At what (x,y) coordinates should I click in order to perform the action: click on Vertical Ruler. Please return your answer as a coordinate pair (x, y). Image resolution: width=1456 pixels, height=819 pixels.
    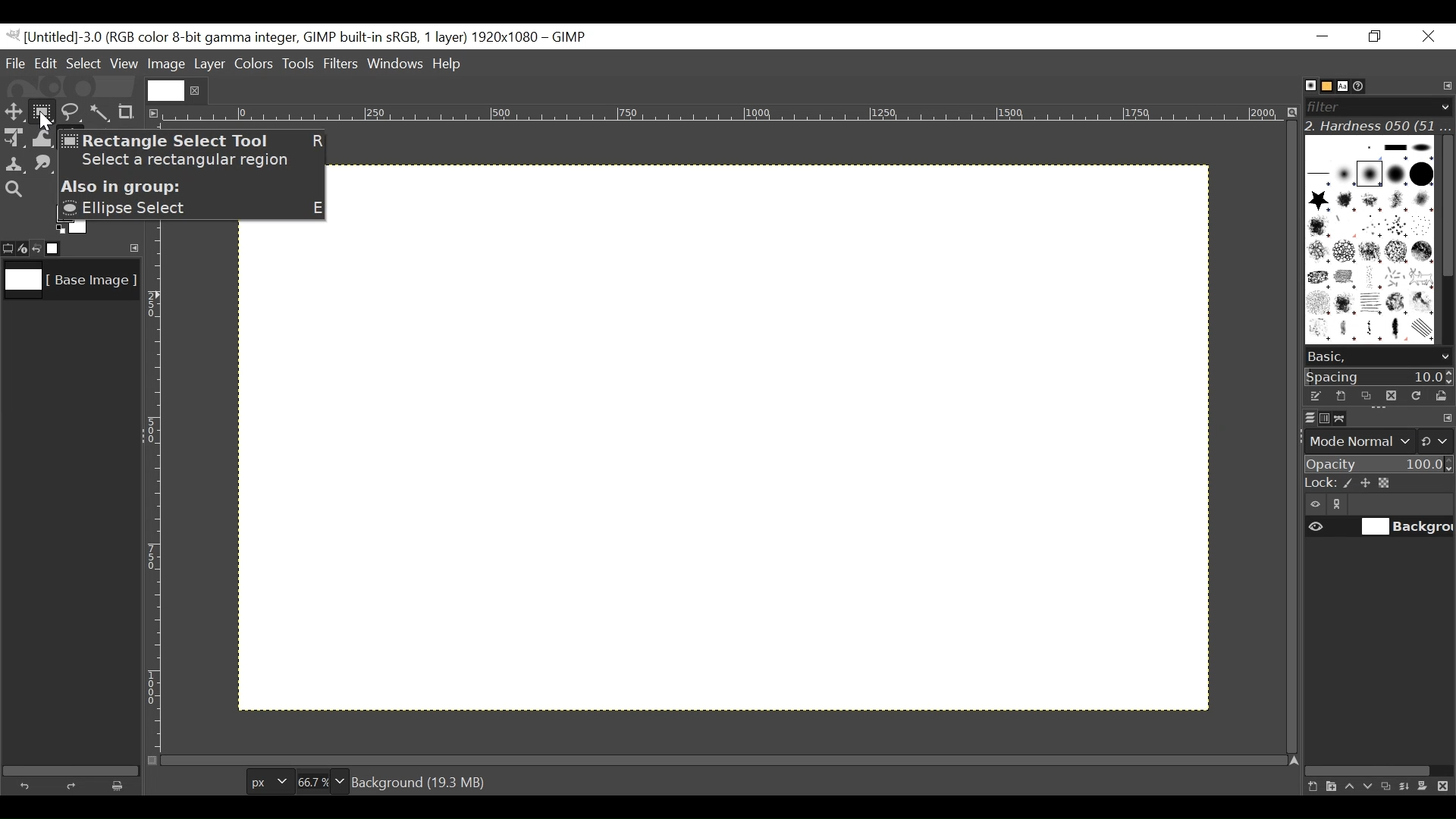
    Looking at the image, I should click on (154, 494).